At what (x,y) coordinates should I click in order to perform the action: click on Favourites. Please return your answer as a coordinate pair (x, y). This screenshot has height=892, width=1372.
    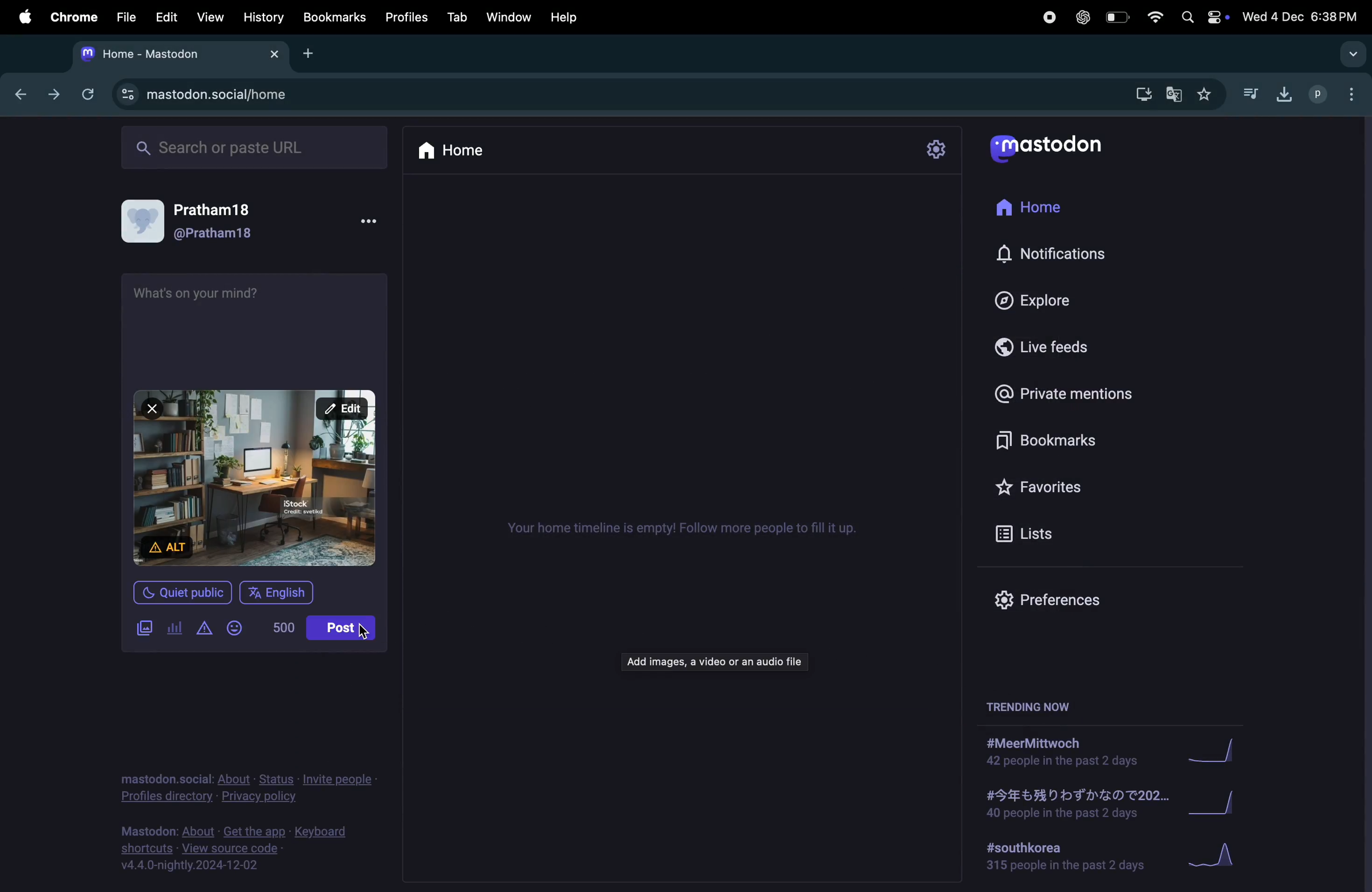
    Looking at the image, I should click on (1050, 488).